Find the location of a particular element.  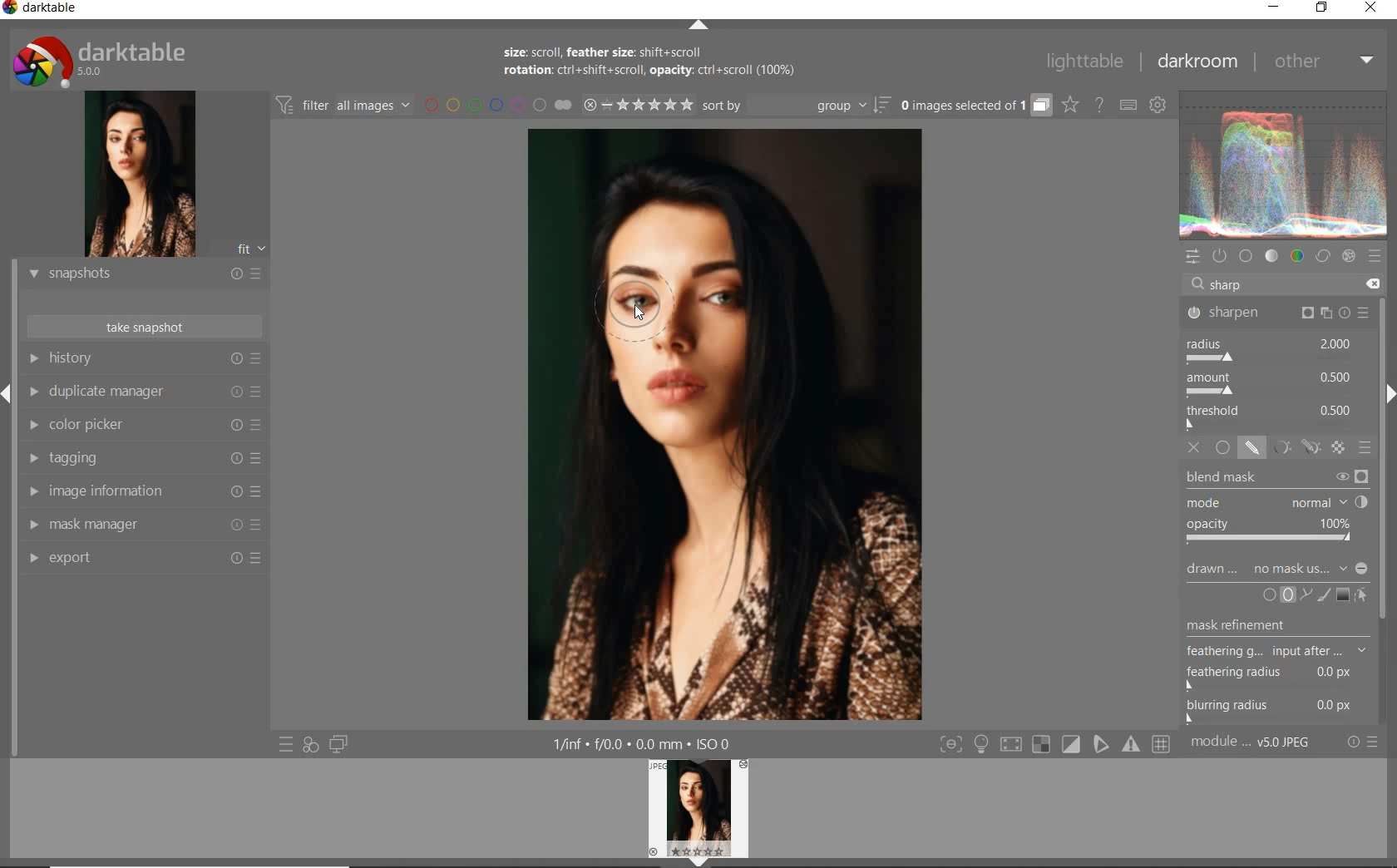

snapshots is located at coordinates (142, 274).